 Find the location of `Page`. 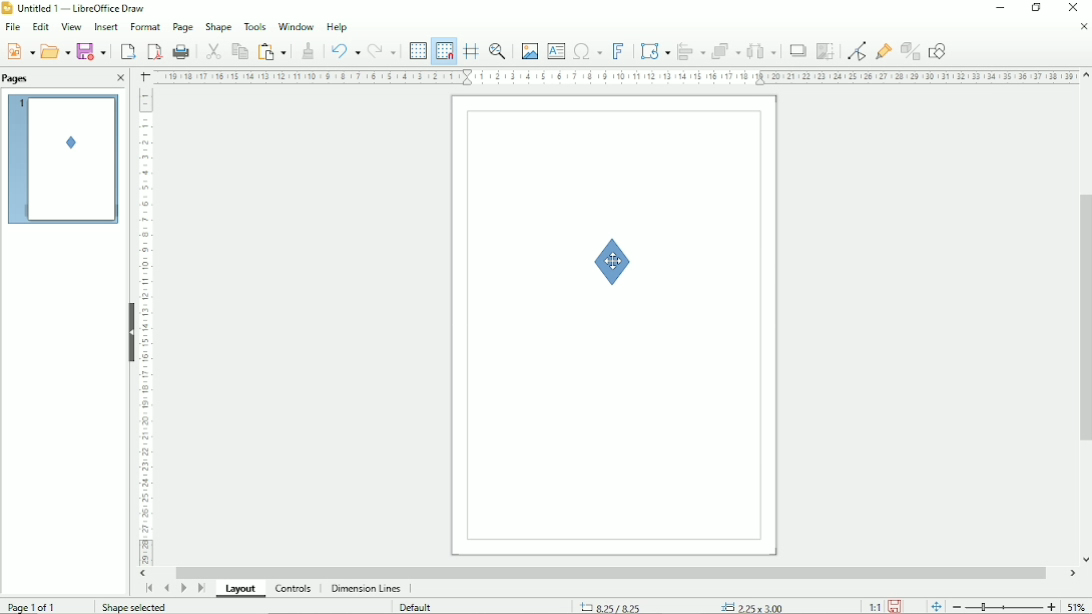

Page is located at coordinates (182, 27).